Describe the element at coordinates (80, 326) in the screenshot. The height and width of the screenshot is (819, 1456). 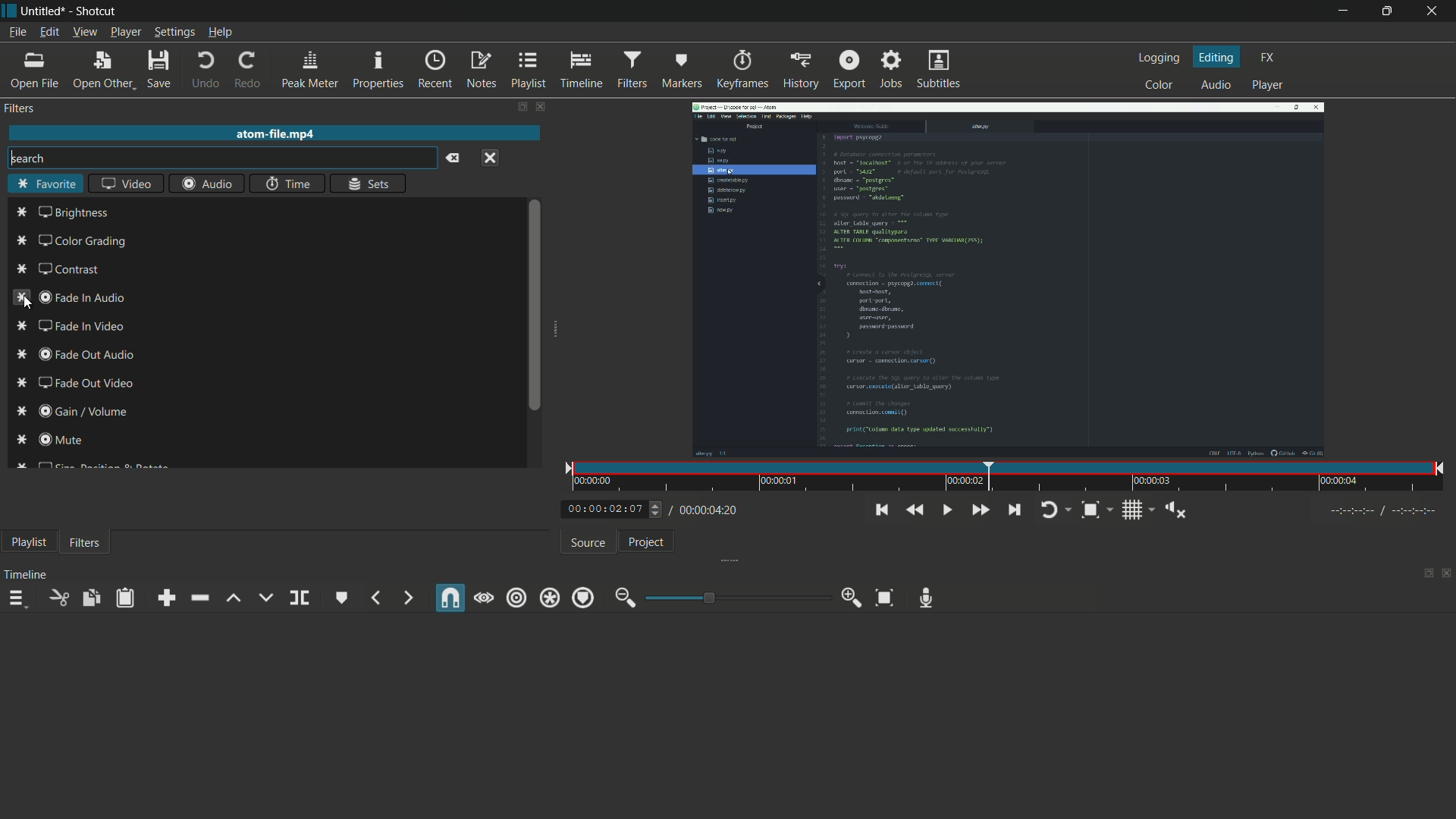
I see `fade in video` at that location.